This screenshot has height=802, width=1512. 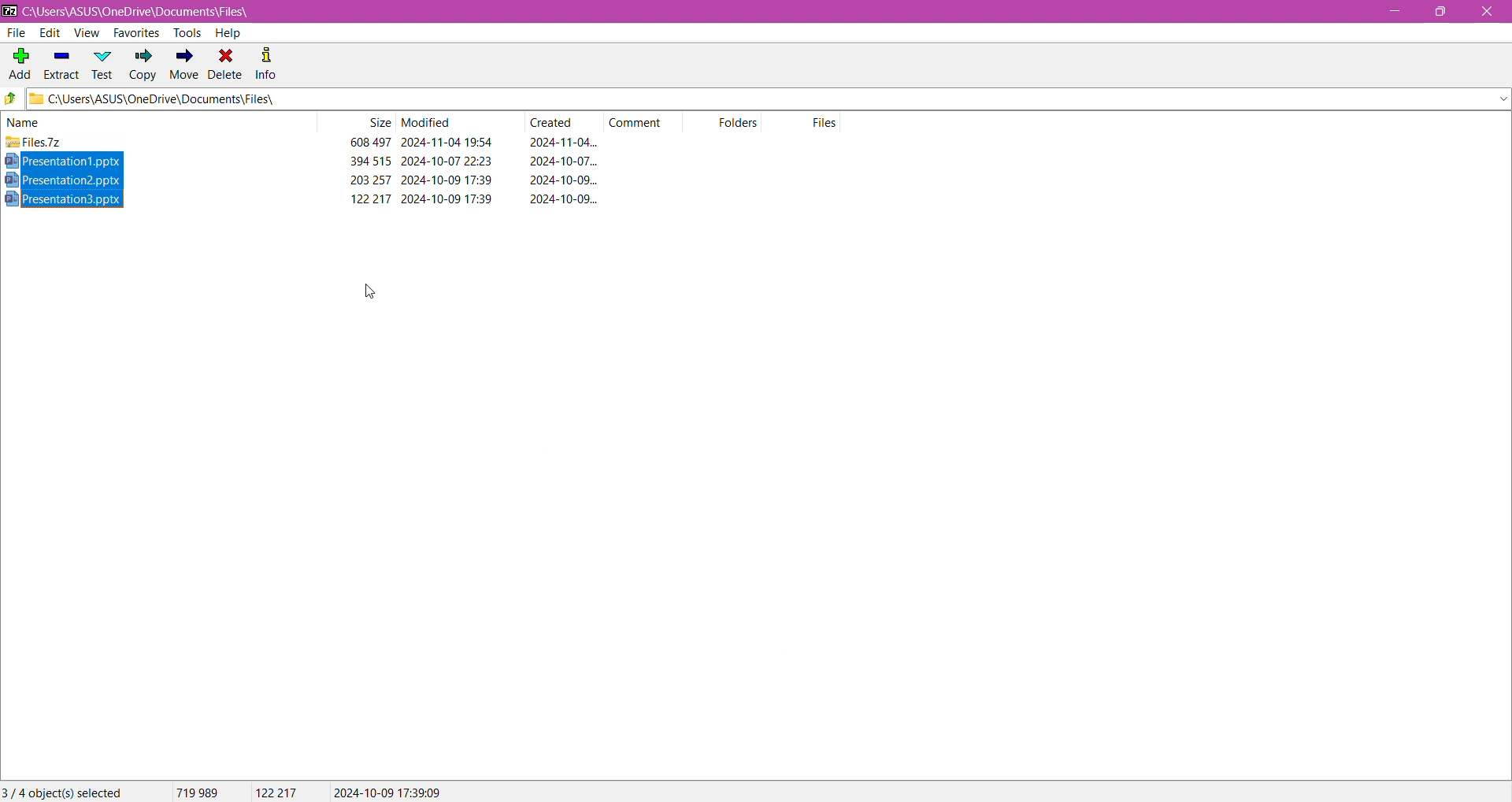 I want to click on Modified date and time of the zip file, so click(x=449, y=143).